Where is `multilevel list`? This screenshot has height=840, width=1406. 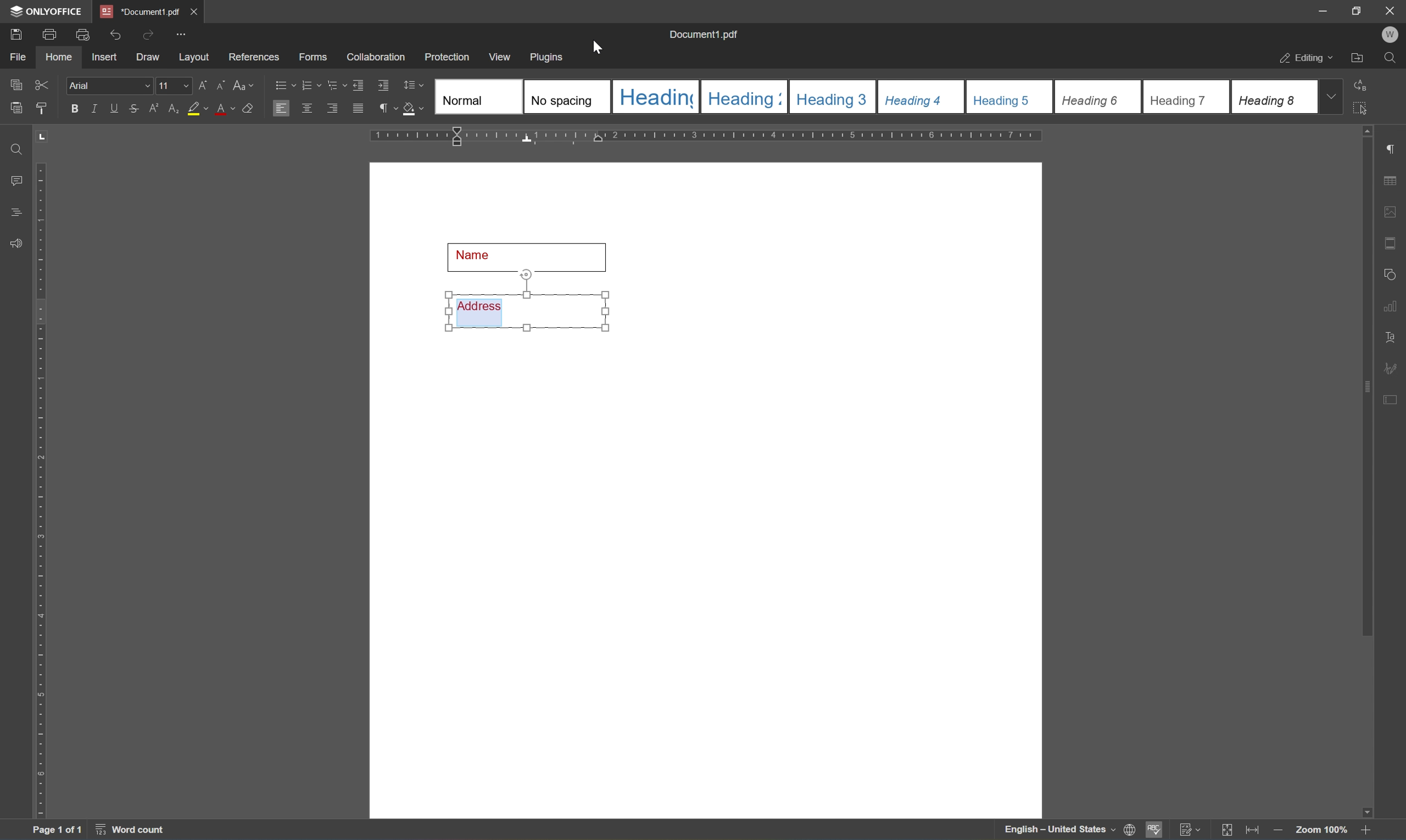
multilevel list is located at coordinates (335, 85).